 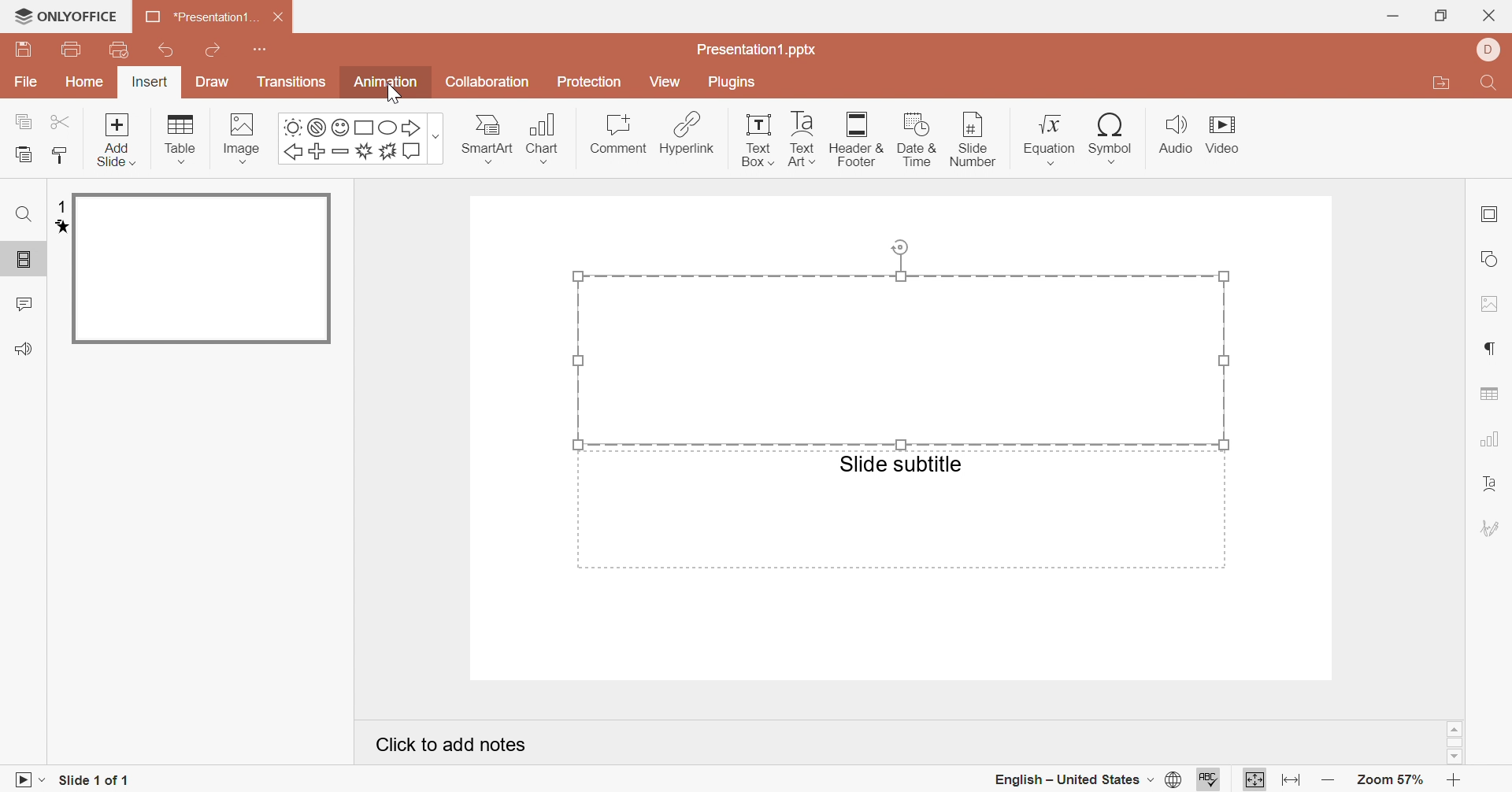 I want to click on paste, so click(x=24, y=153).